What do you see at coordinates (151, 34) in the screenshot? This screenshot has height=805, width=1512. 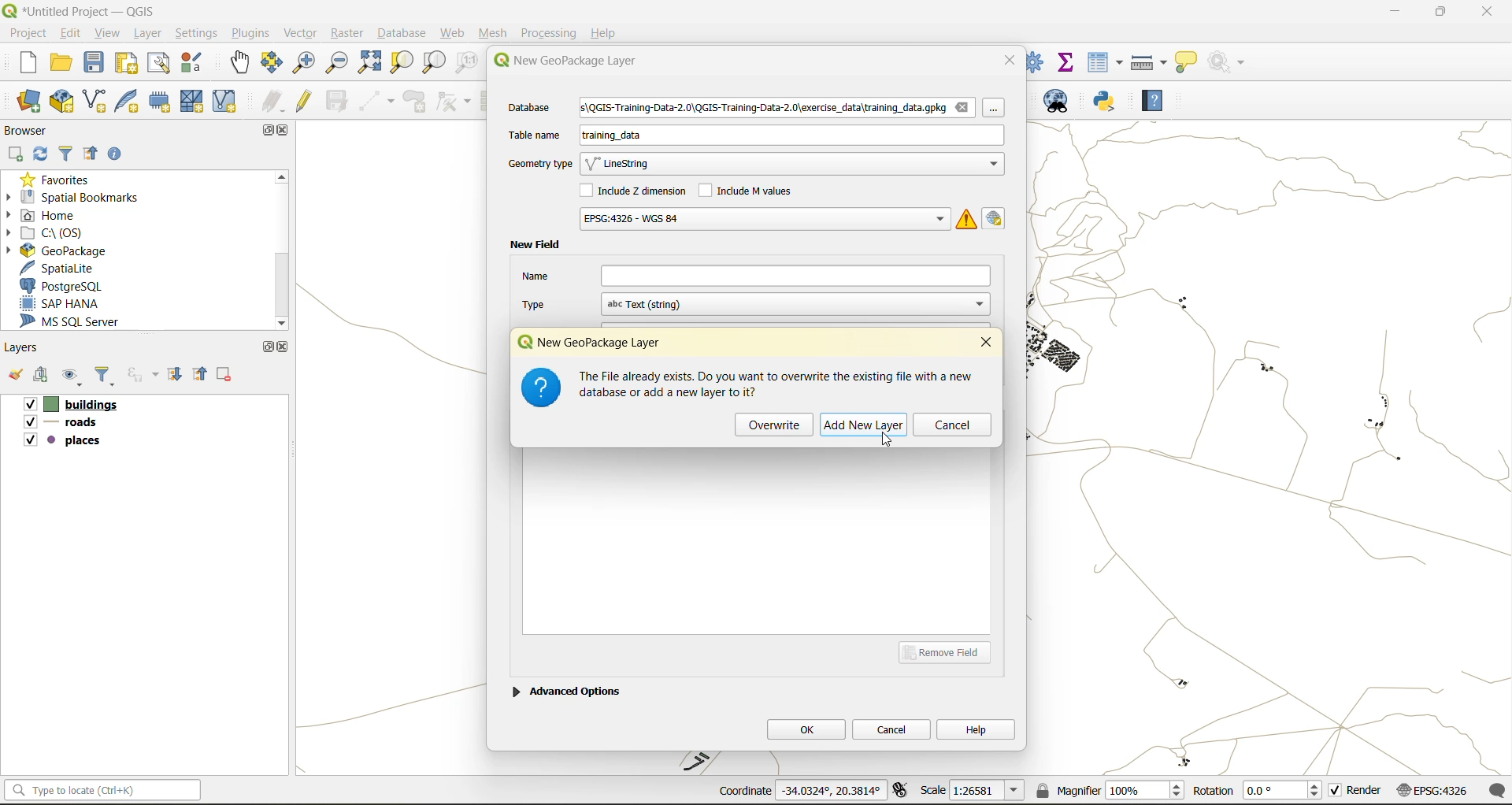 I see `layer` at bounding box center [151, 34].